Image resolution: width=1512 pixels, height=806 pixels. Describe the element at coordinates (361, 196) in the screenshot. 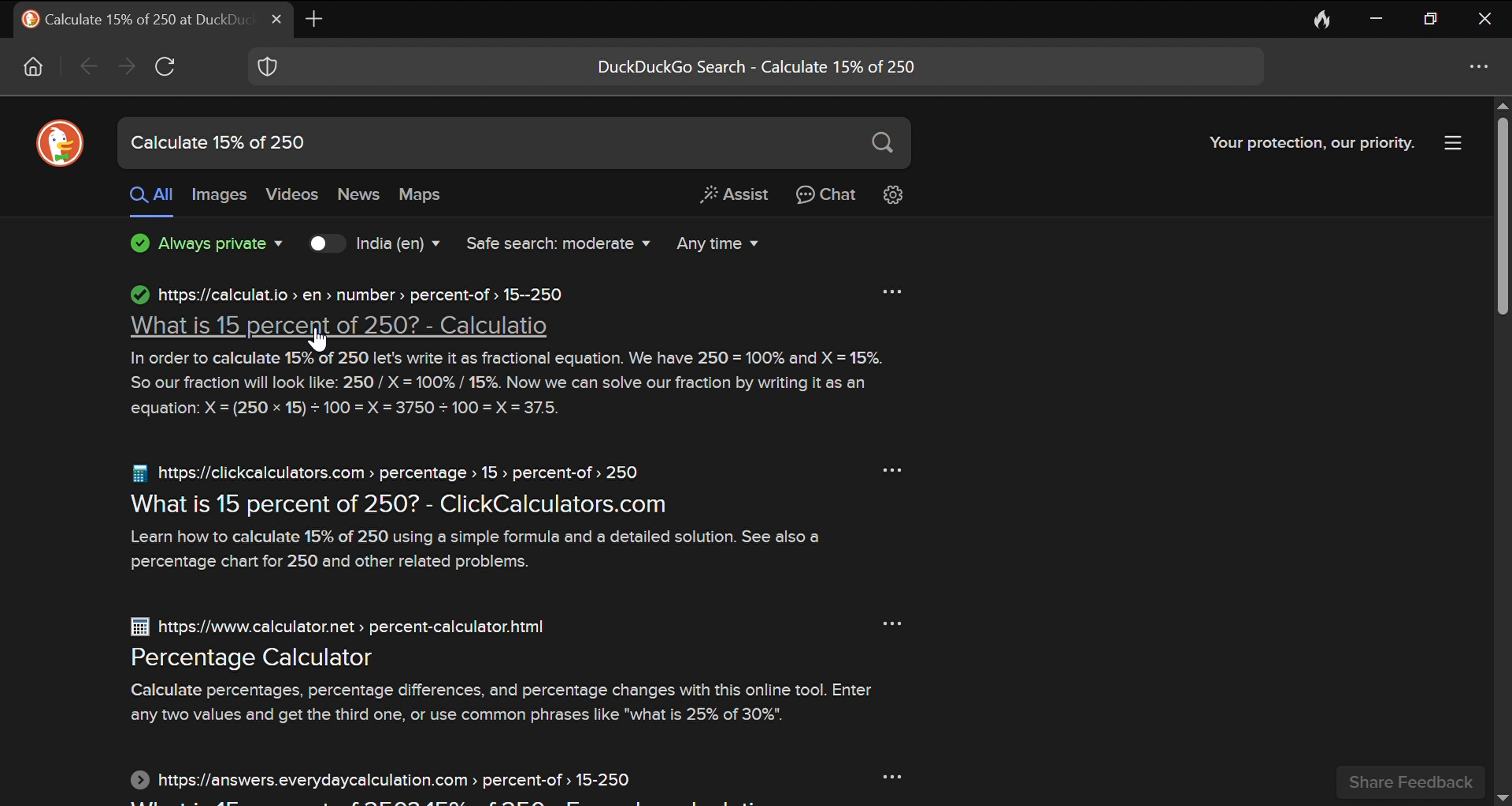

I see `News` at that location.